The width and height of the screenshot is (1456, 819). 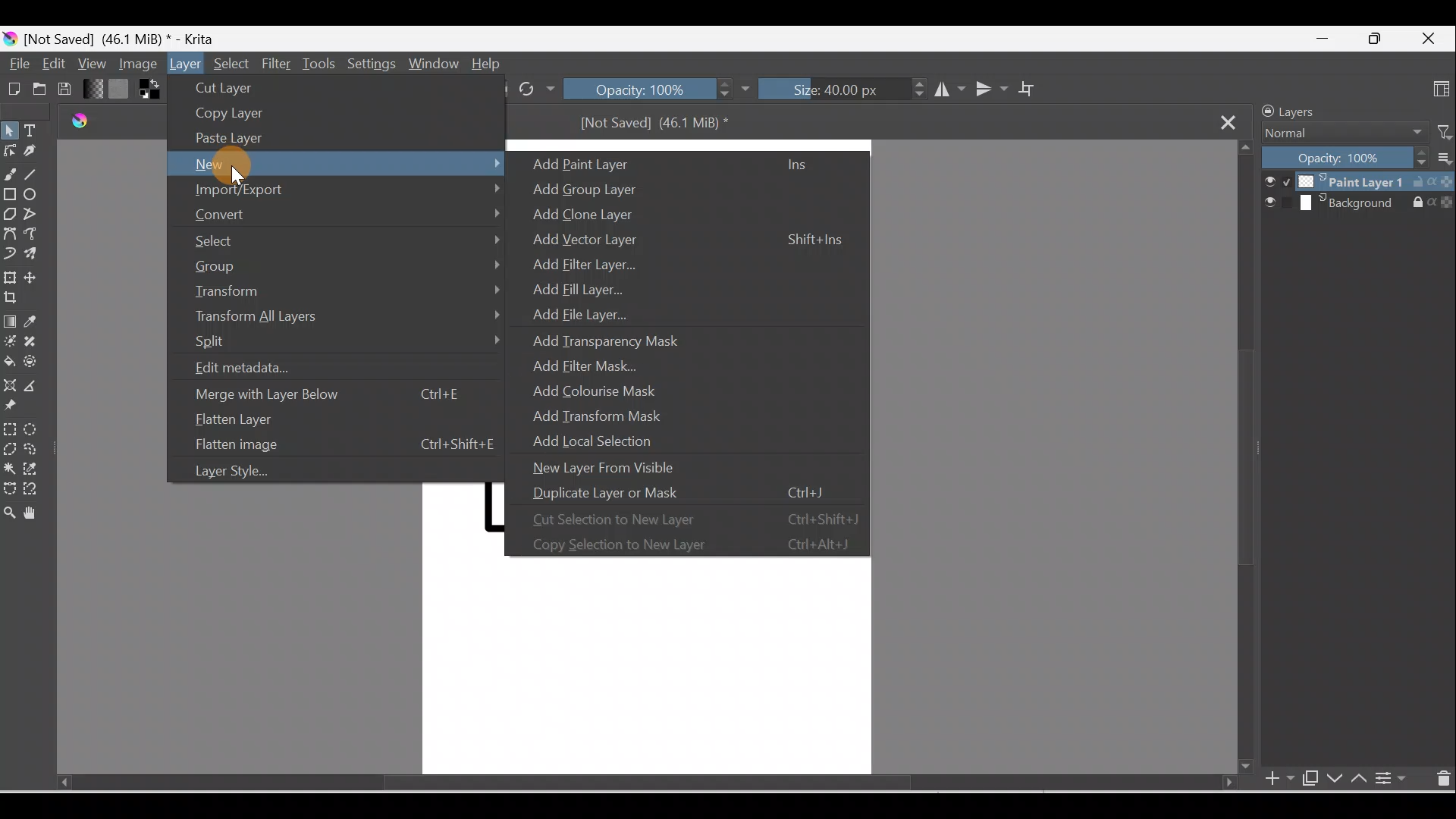 I want to click on New layer from visible, so click(x=613, y=467).